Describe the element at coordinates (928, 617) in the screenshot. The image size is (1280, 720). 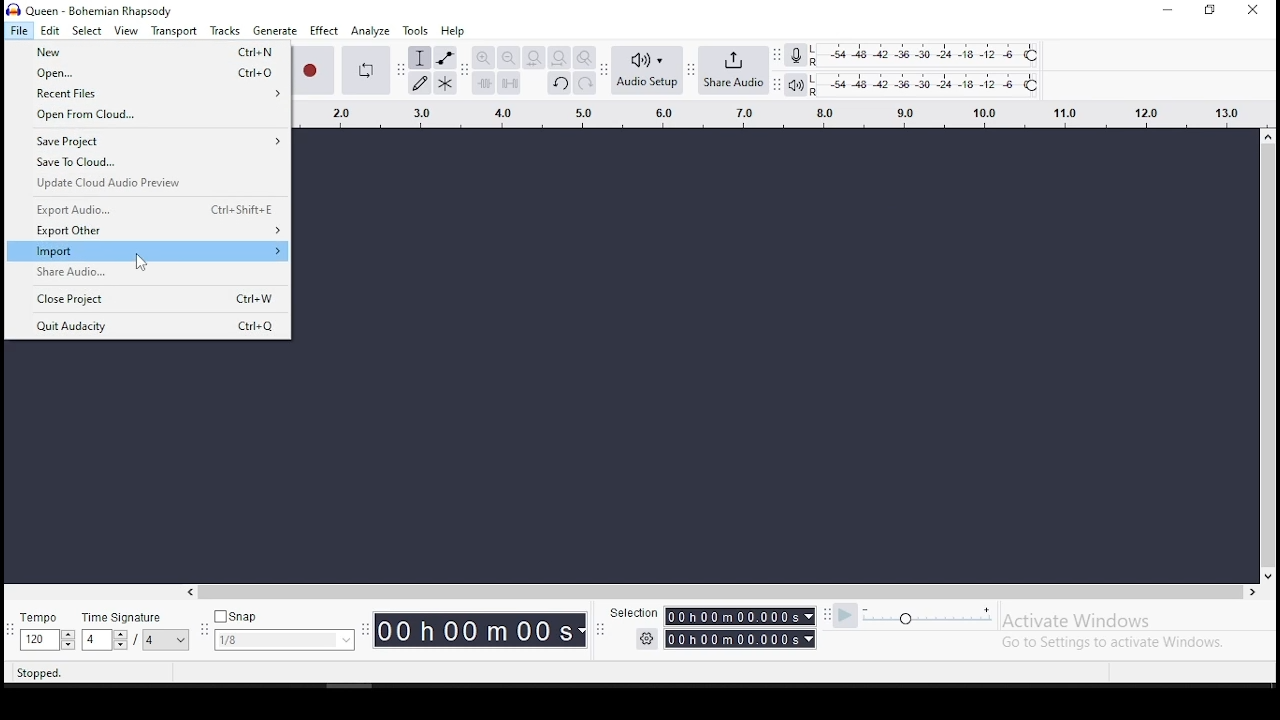
I see `playback speed` at that location.